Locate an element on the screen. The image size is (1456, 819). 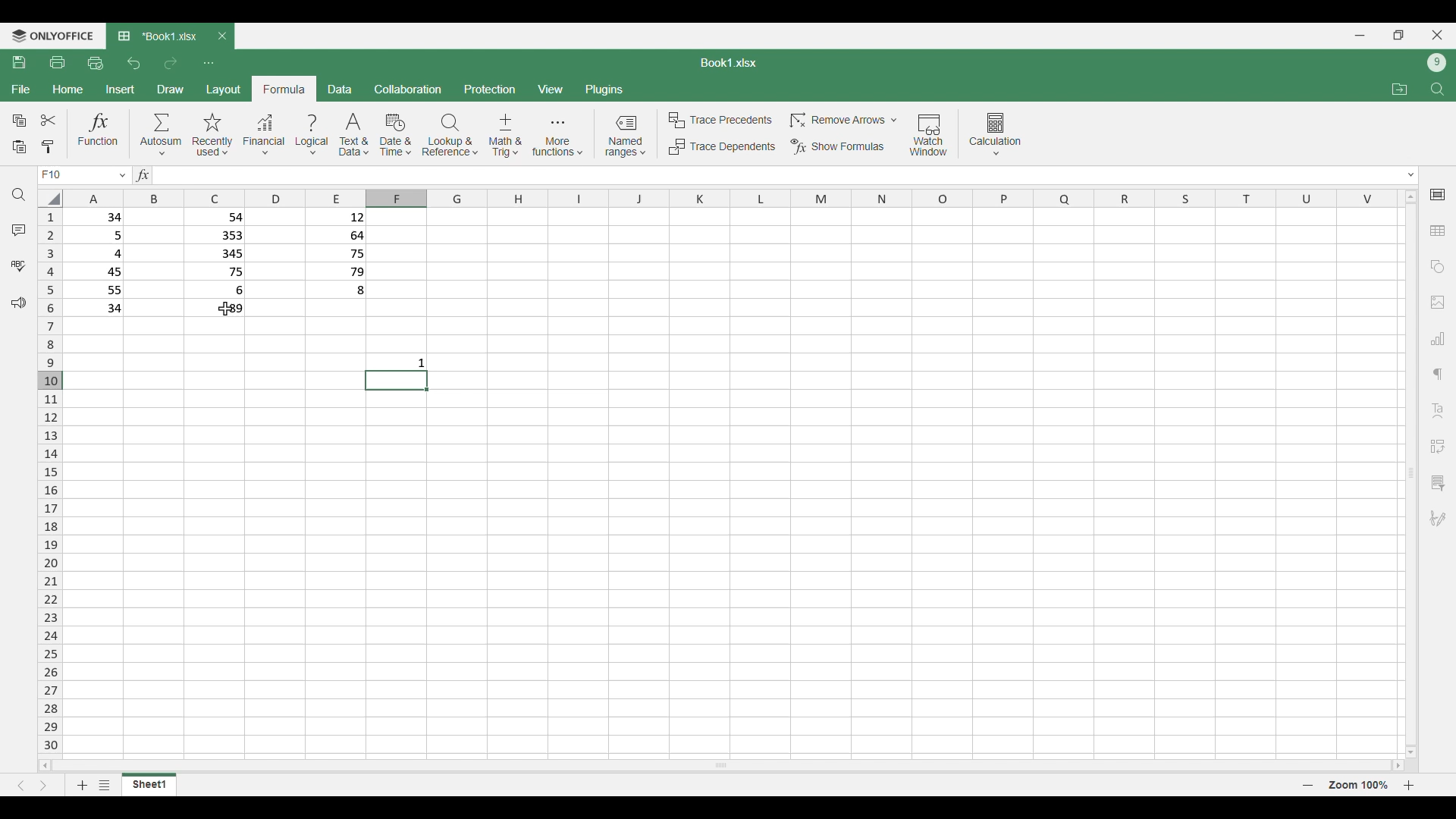
Paste is located at coordinates (19, 148).